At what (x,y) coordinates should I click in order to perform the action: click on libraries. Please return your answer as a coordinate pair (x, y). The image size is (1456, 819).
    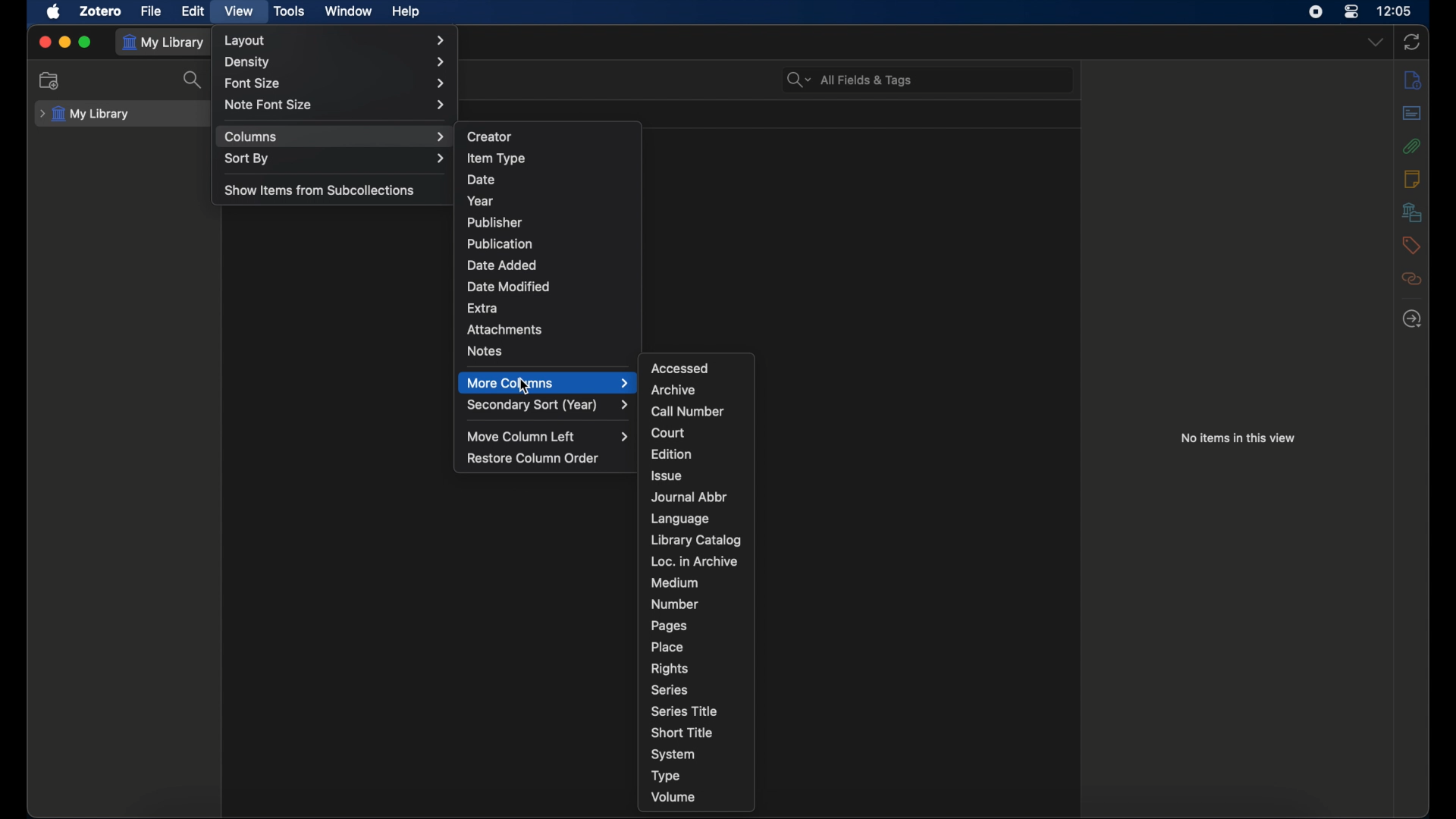
    Looking at the image, I should click on (1414, 212).